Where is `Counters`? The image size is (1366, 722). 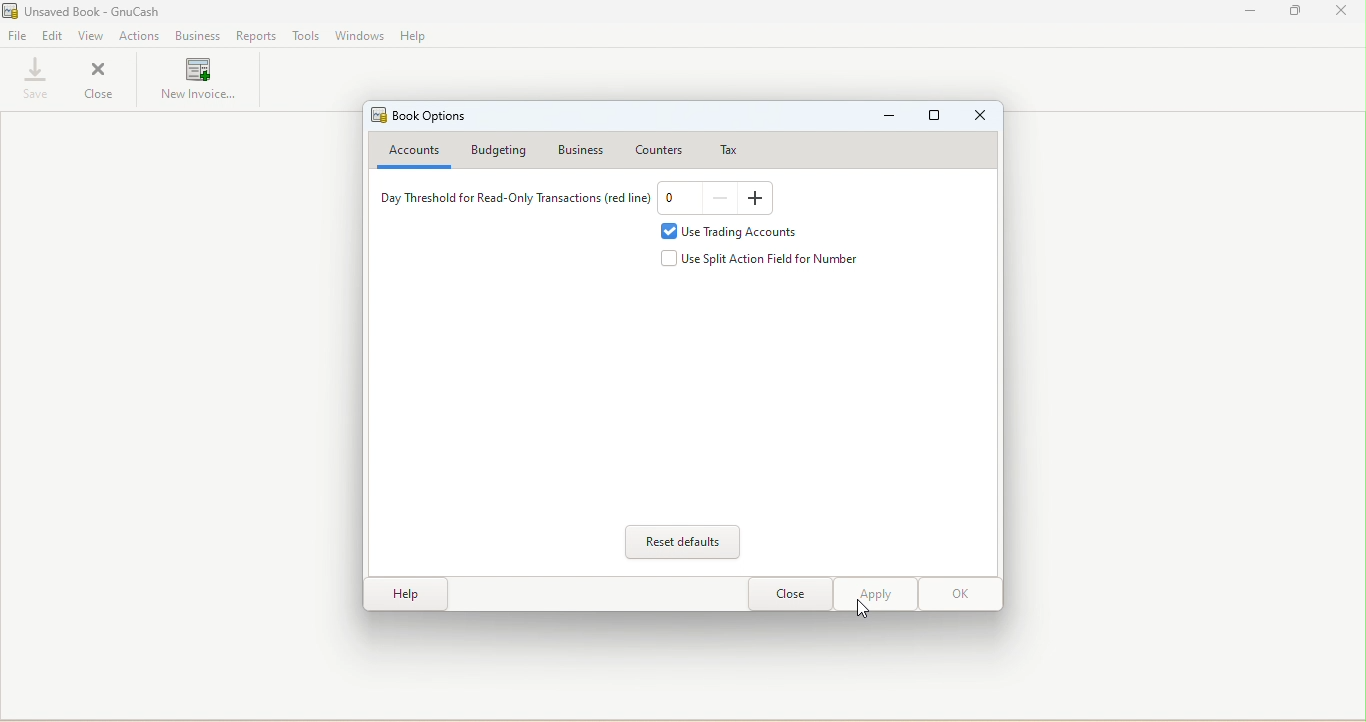 Counters is located at coordinates (658, 147).